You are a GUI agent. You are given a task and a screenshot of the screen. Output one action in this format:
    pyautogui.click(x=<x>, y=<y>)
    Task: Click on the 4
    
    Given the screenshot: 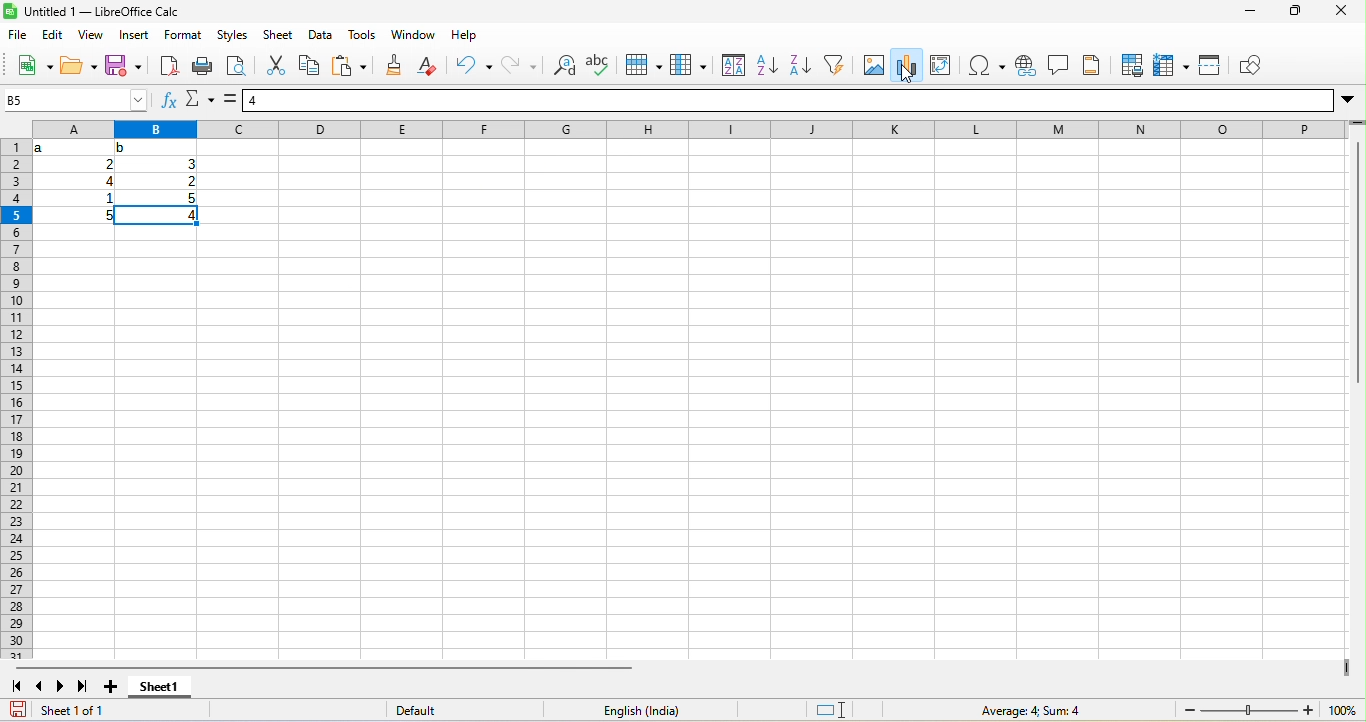 What is the action you would take?
    pyautogui.click(x=107, y=181)
    